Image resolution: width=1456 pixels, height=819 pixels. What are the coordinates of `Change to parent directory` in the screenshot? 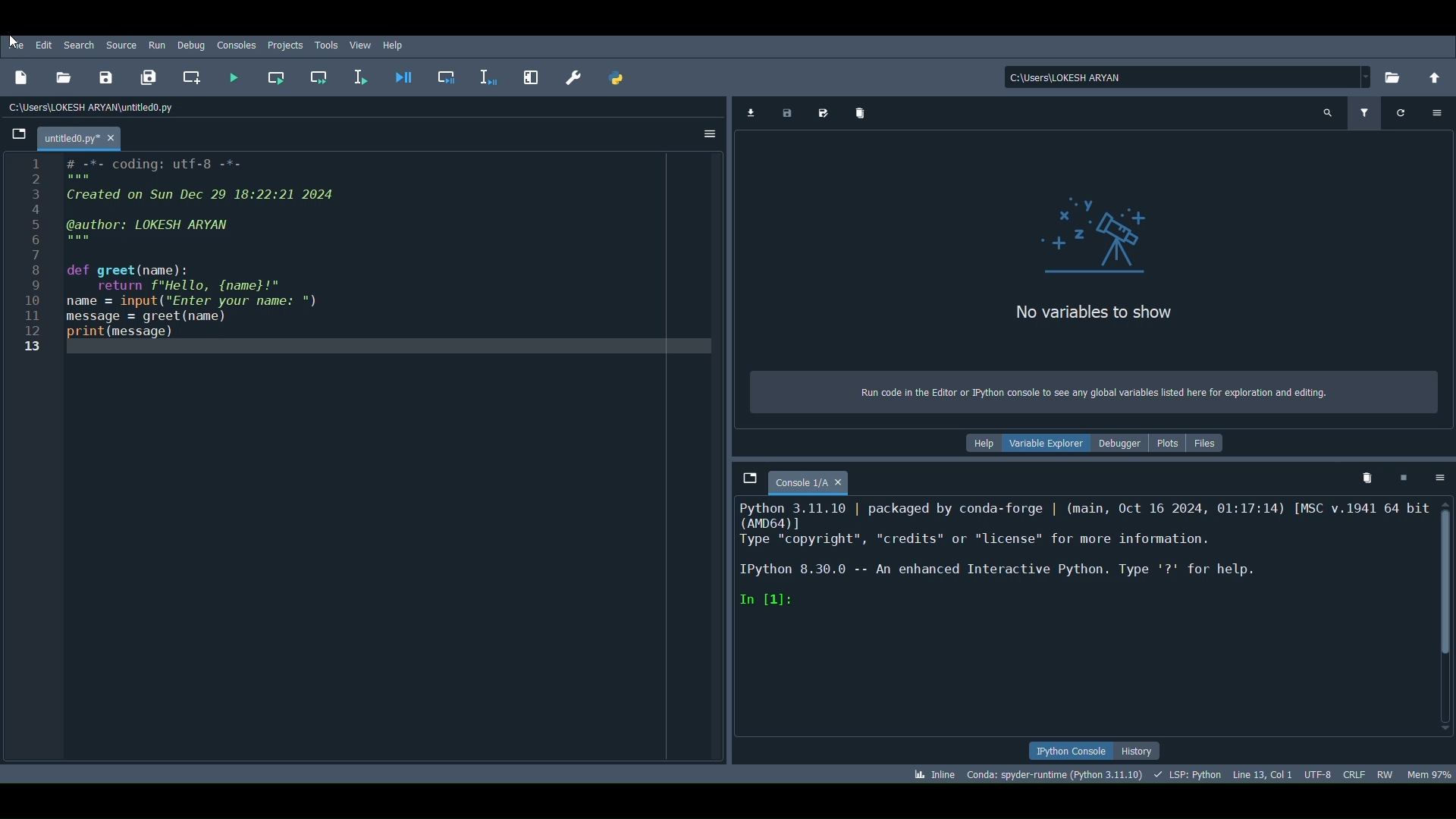 It's located at (1437, 79).